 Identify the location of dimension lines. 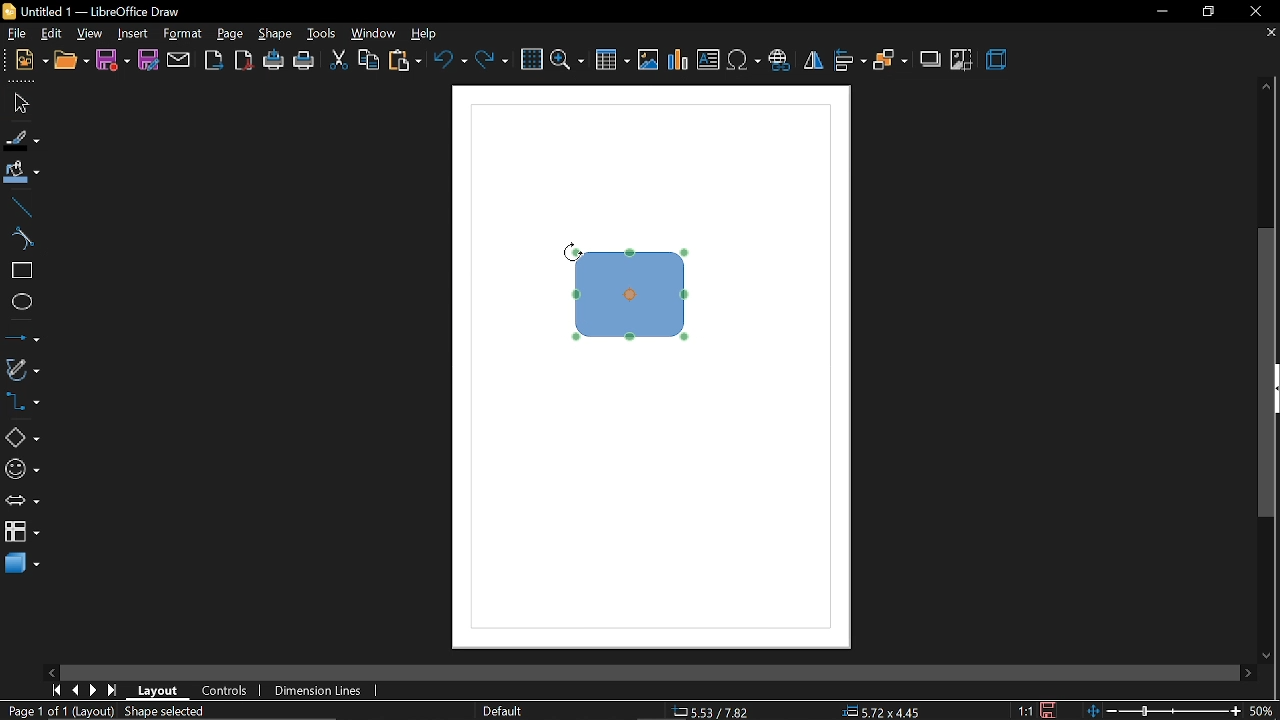
(321, 691).